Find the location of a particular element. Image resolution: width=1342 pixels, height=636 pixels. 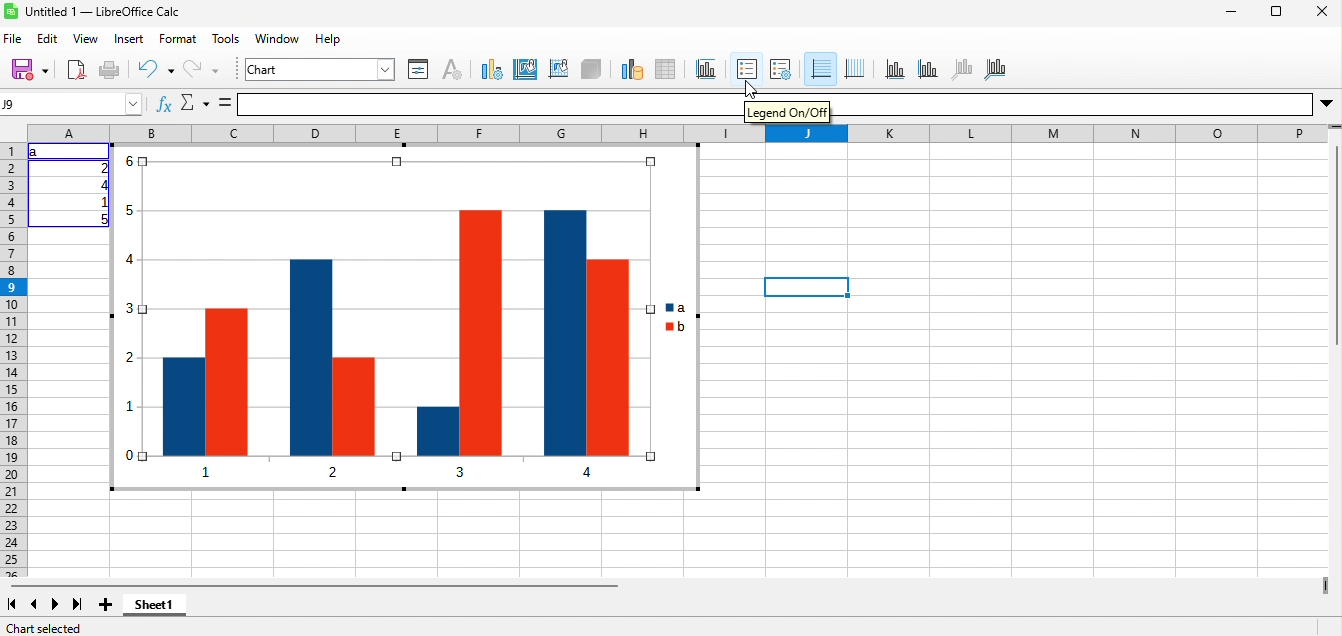

formula bar is located at coordinates (489, 104).